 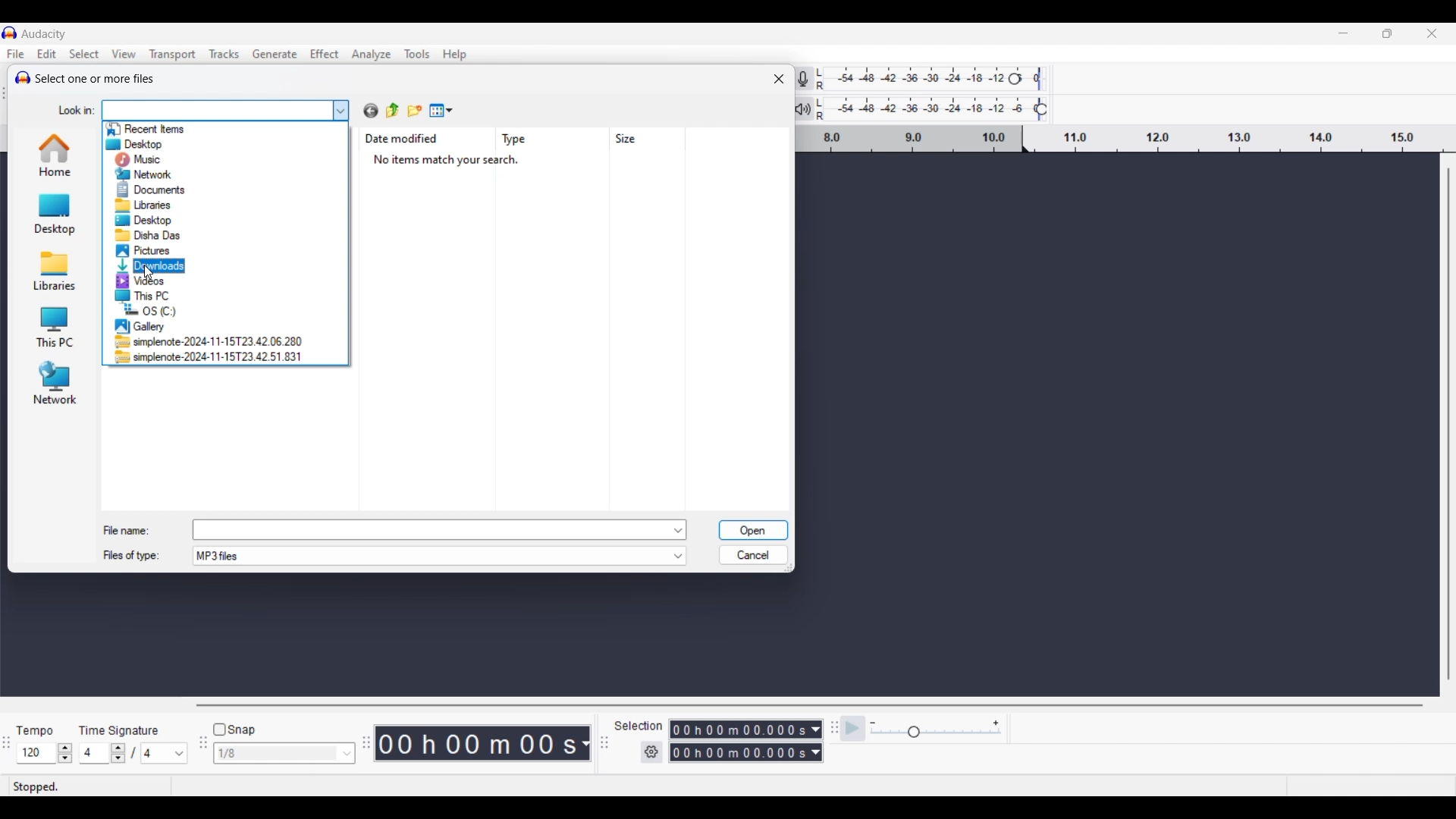 What do you see at coordinates (418, 55) in the screenshot?
I see `Tools menu` at bounding box center [418, 55].